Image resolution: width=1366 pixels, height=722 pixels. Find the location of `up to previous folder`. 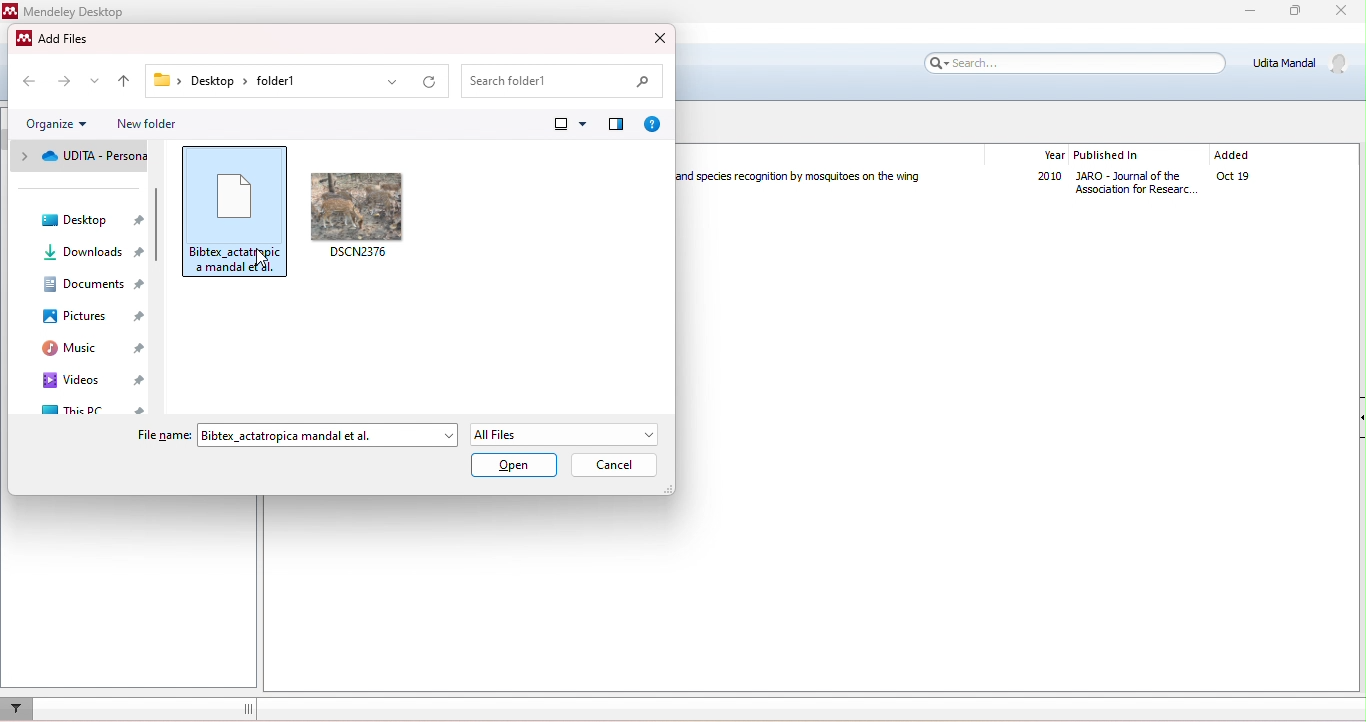

up to previous folder is located at coordinates (124, 80).